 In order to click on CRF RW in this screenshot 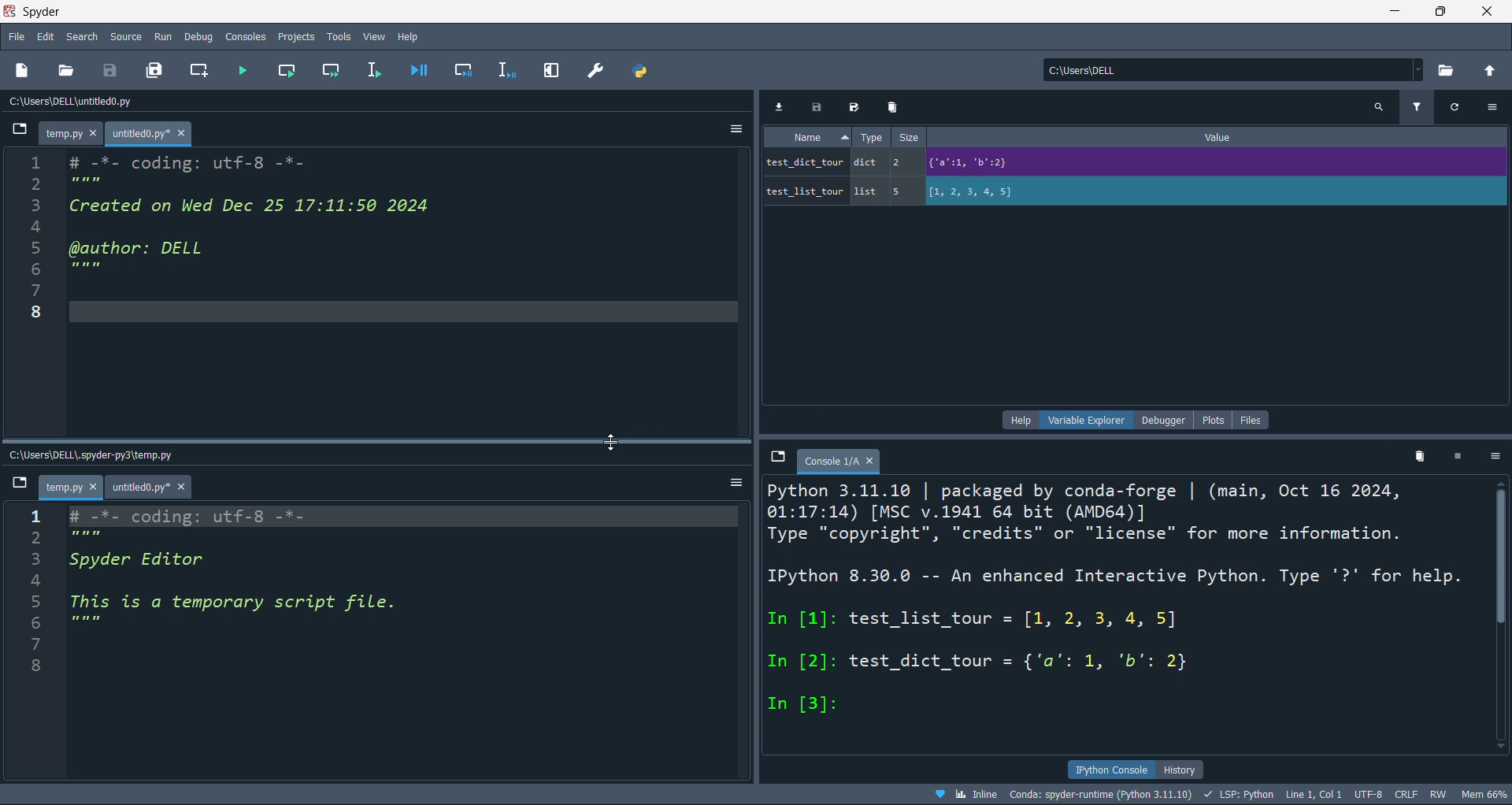, I will do `click(1425, 794)`.